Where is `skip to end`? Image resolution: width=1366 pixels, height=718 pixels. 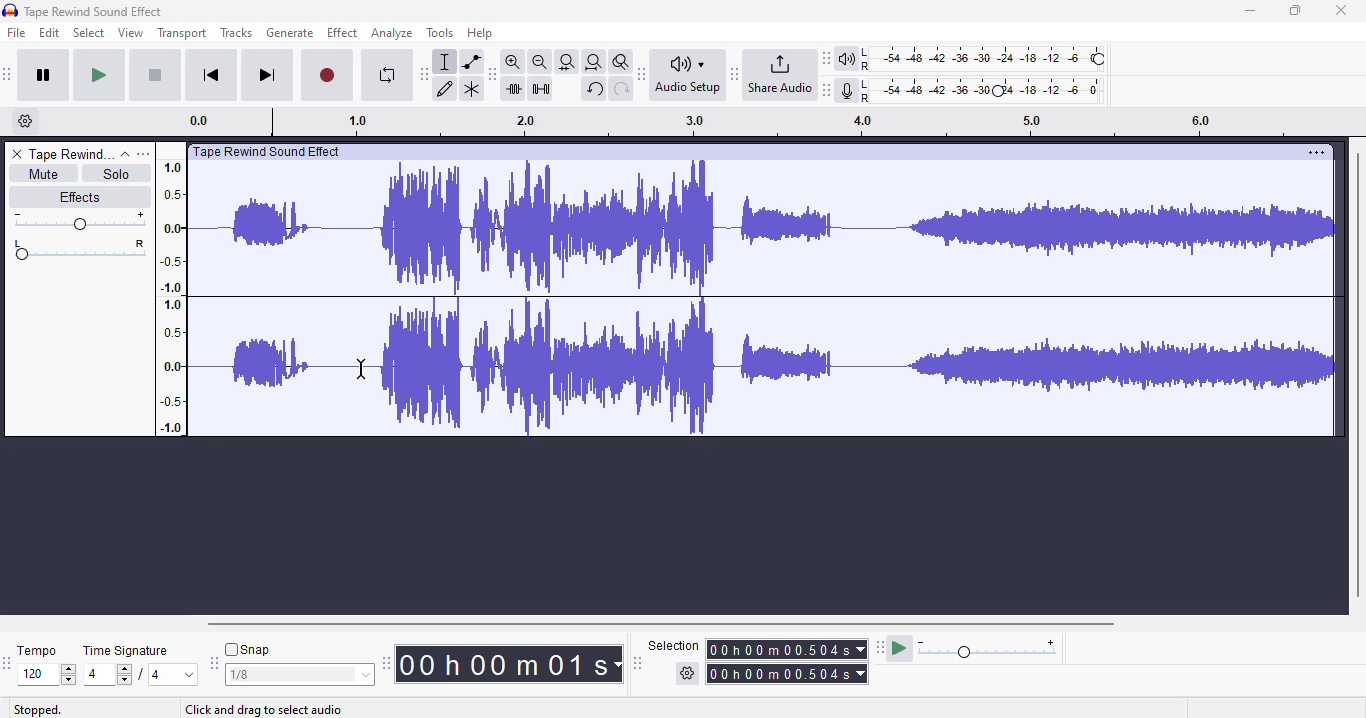
skip to end is located at coordinates (266, 75).